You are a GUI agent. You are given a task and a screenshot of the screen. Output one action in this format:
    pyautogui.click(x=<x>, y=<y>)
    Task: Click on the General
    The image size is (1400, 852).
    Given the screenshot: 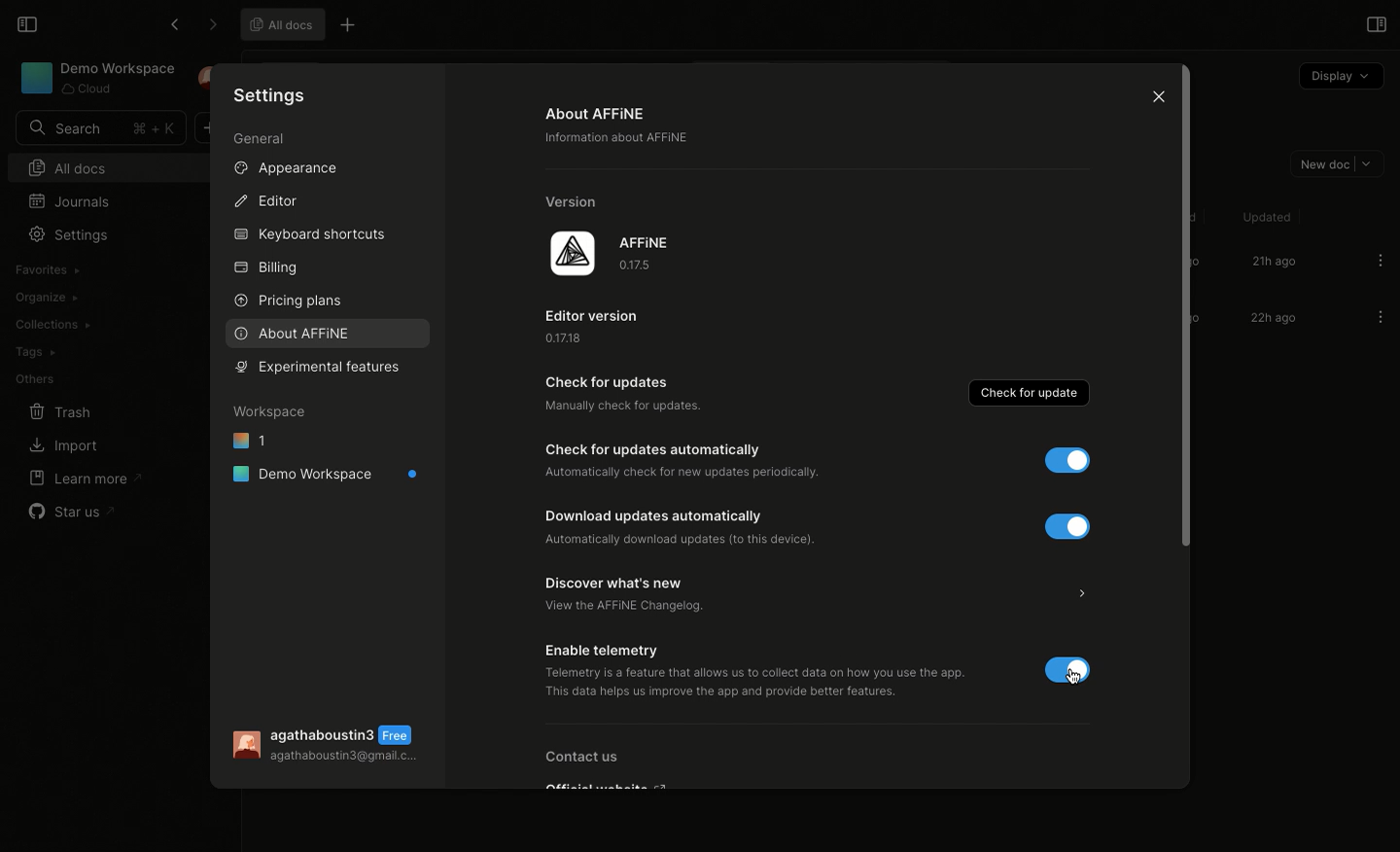 What is the action you would take?
    pyautogui.click(x=261, y=141)
    